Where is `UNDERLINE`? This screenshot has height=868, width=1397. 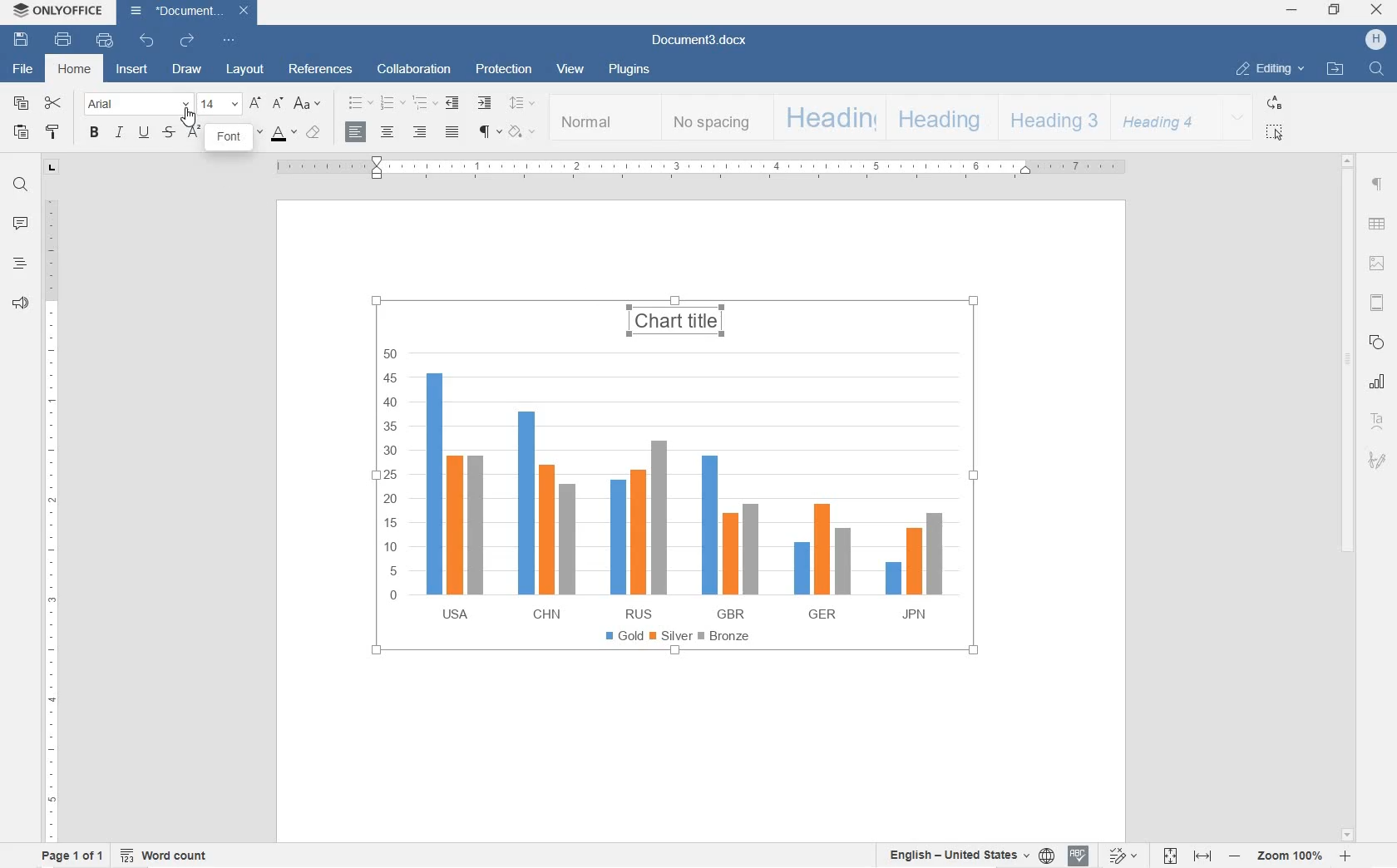 UNDERLINE is located at coordinates (143, 134).